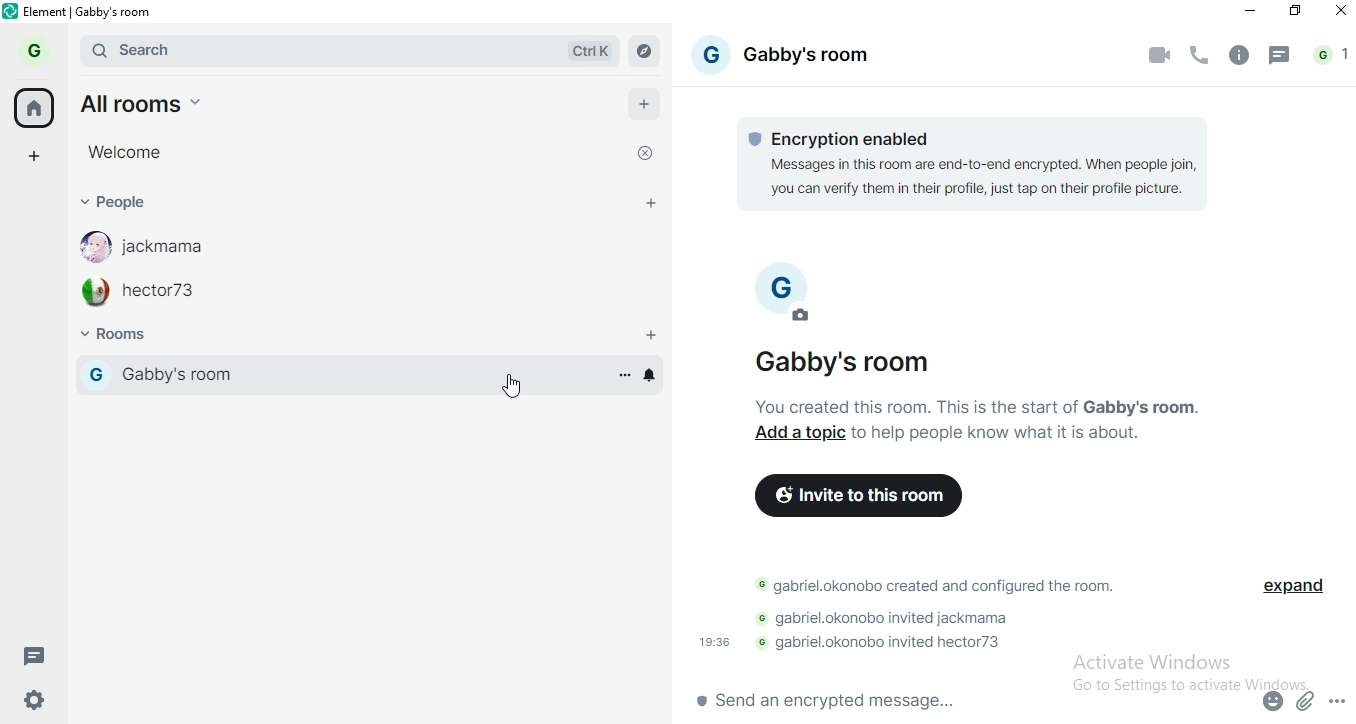  I want to click on gabby's room, so click(871, 362).